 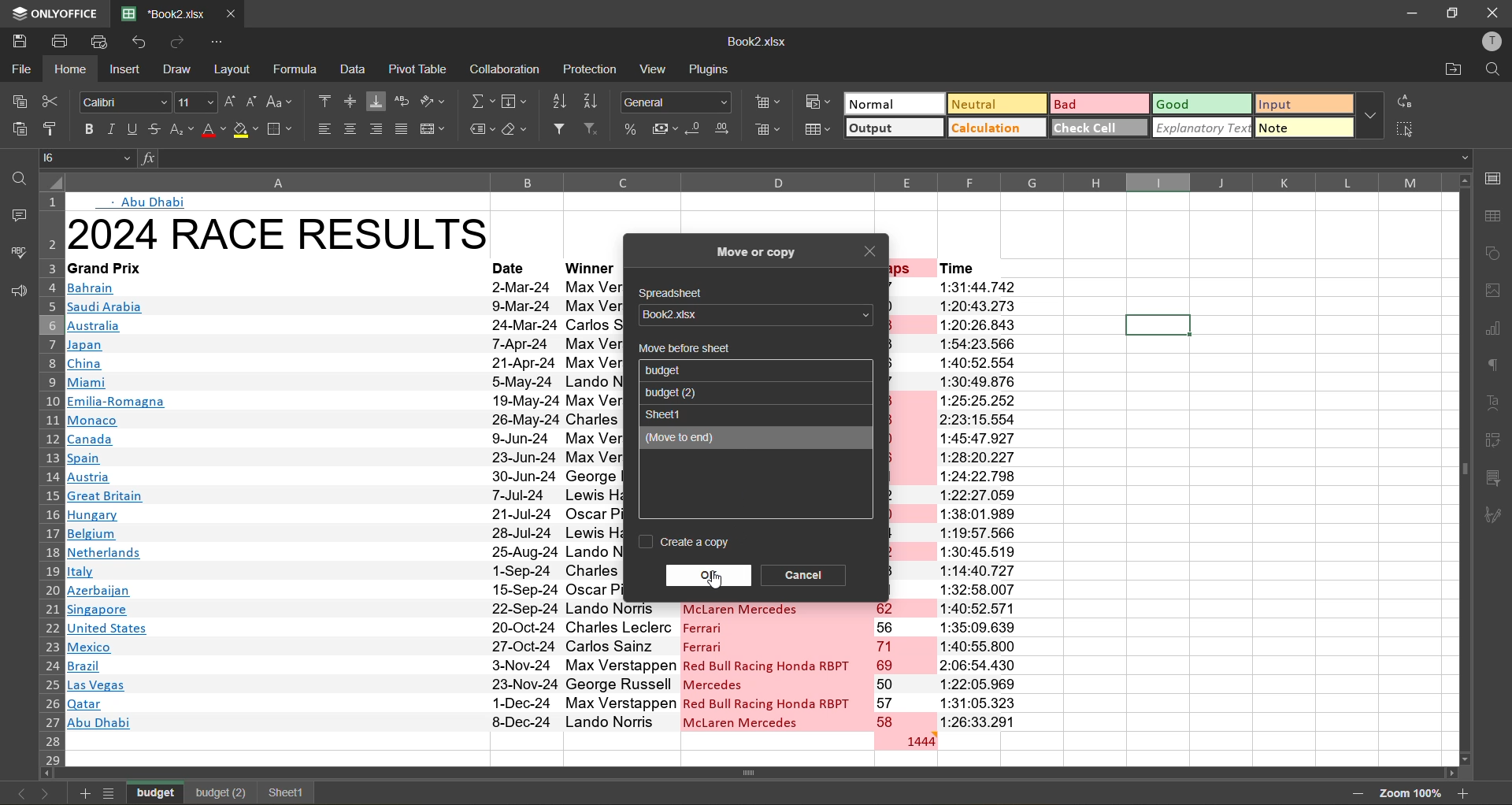 What do you see at coordinates (1492, 70) in the screenshot?
I see `find` at bounding box center [1492, 70].